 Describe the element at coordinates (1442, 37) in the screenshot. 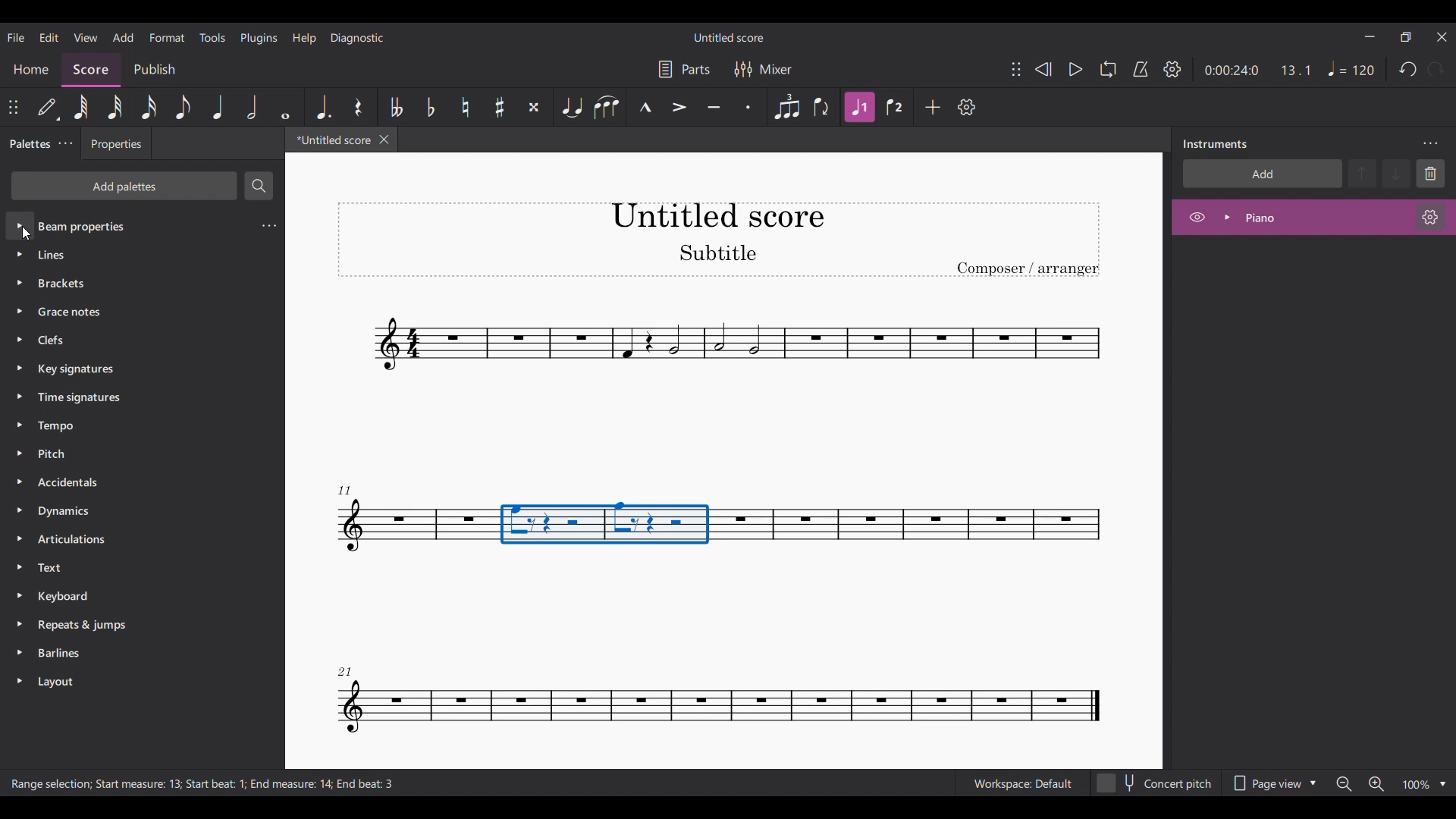

I see `Close interface` at that location.